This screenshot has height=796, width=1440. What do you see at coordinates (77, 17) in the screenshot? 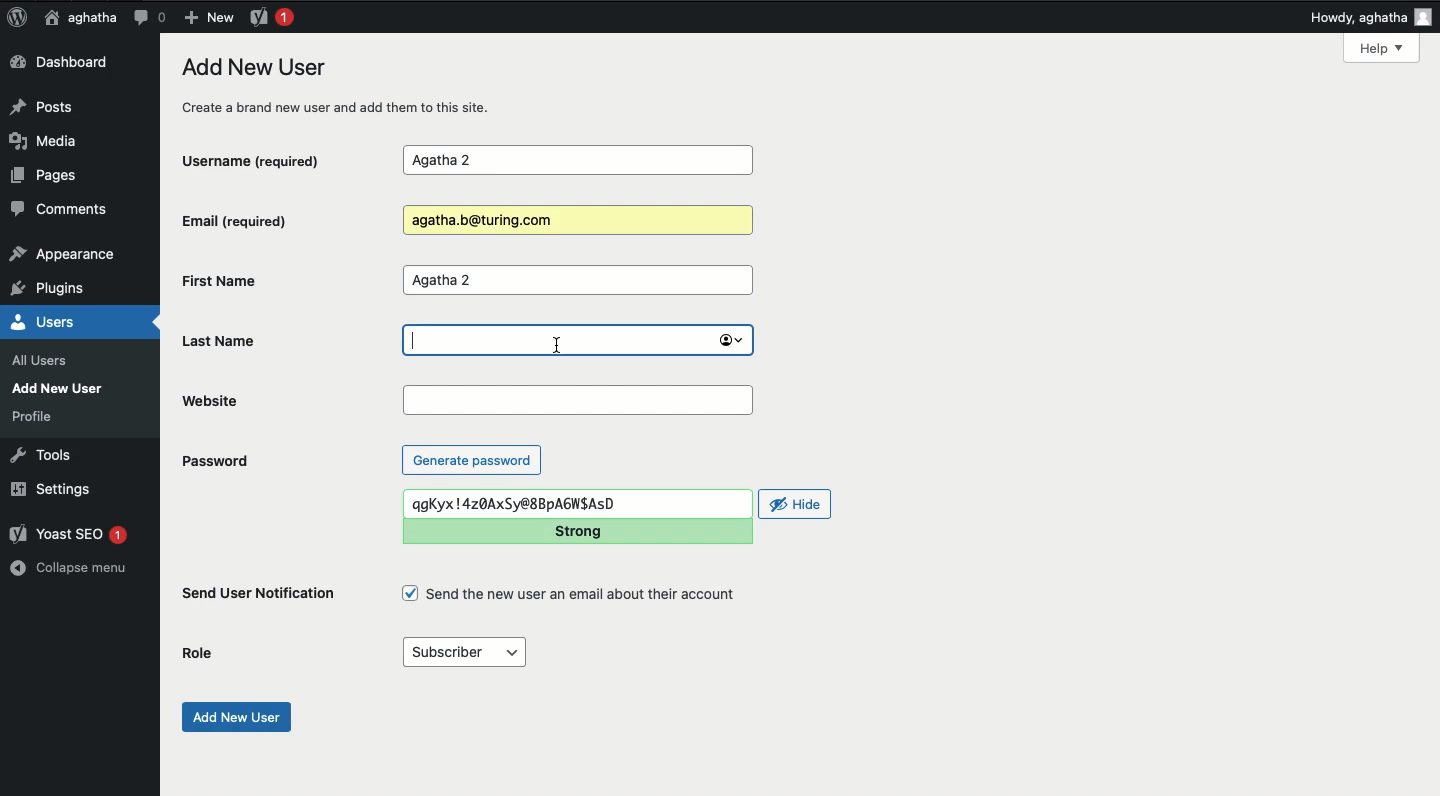
I see `aghatha` at bounding box center [77, 17].